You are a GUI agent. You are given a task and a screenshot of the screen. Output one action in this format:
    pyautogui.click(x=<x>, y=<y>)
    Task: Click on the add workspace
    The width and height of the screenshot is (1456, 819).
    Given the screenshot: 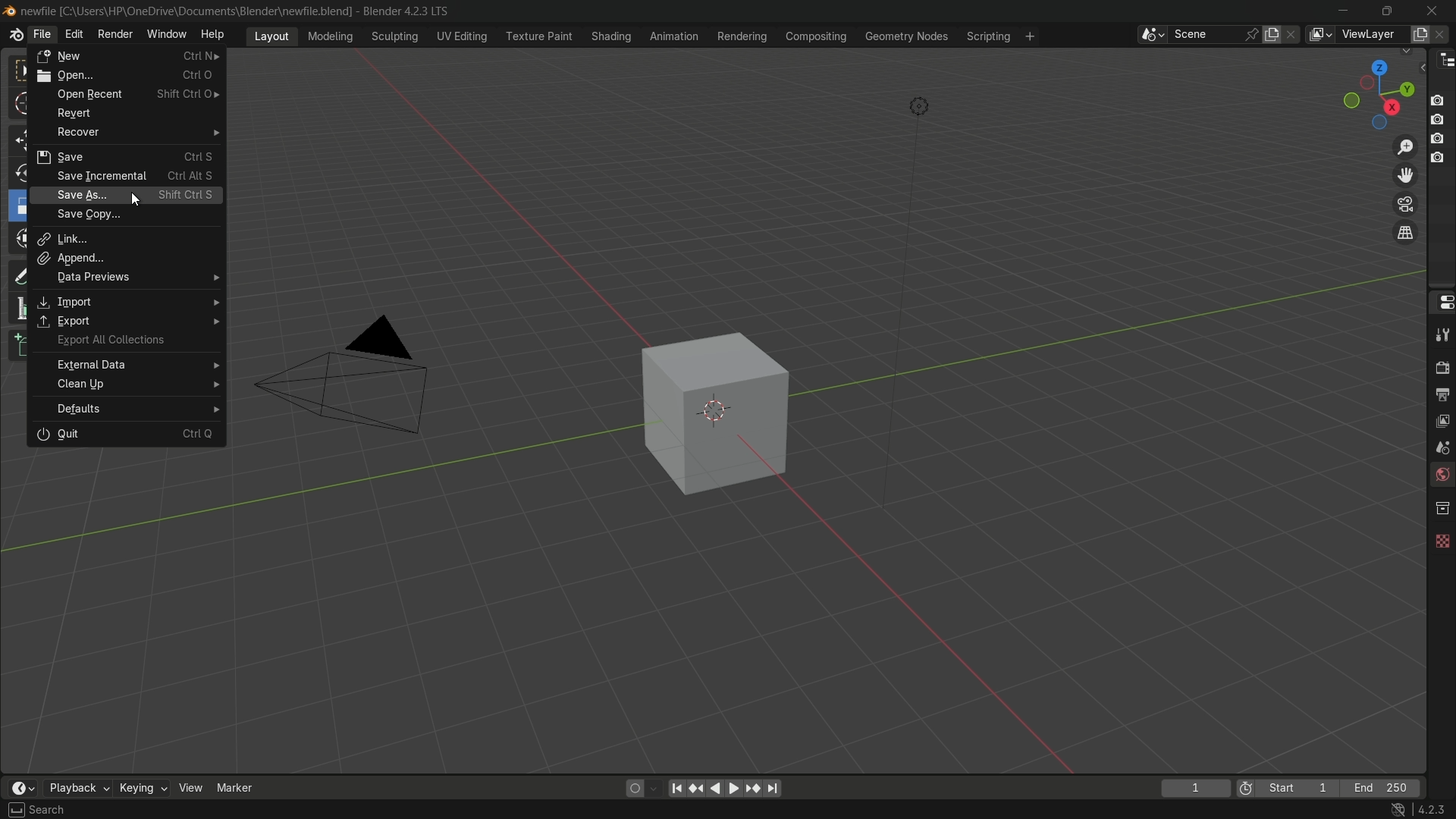 What is the action you would take?
    pyautogui.click(x=1028, y=36)
    